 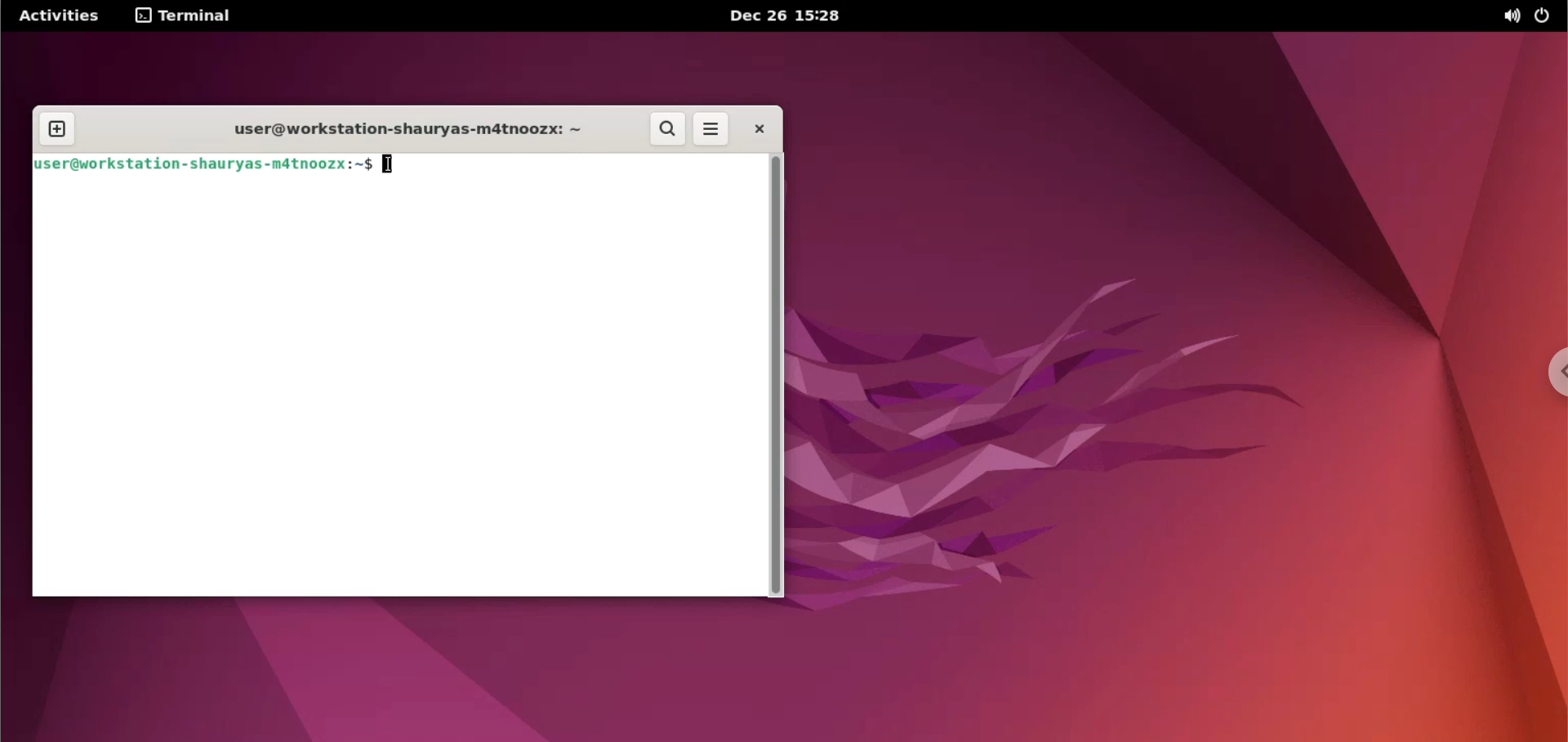 I want to click on cursor, so click(x=394, y=167).